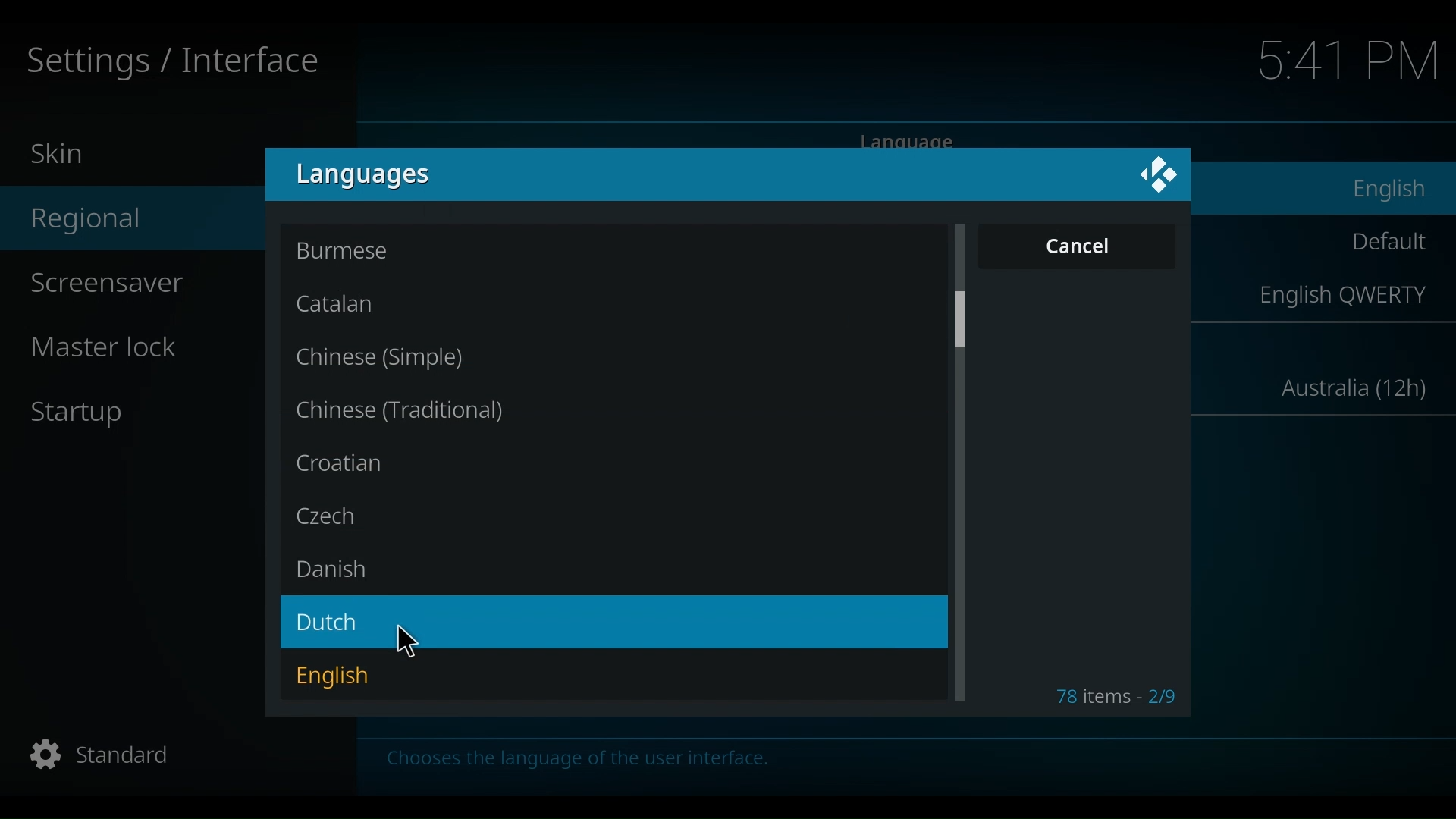 The width and height of the screenshot is (1456, 819). I want to click on Default, so click(1391, 245).